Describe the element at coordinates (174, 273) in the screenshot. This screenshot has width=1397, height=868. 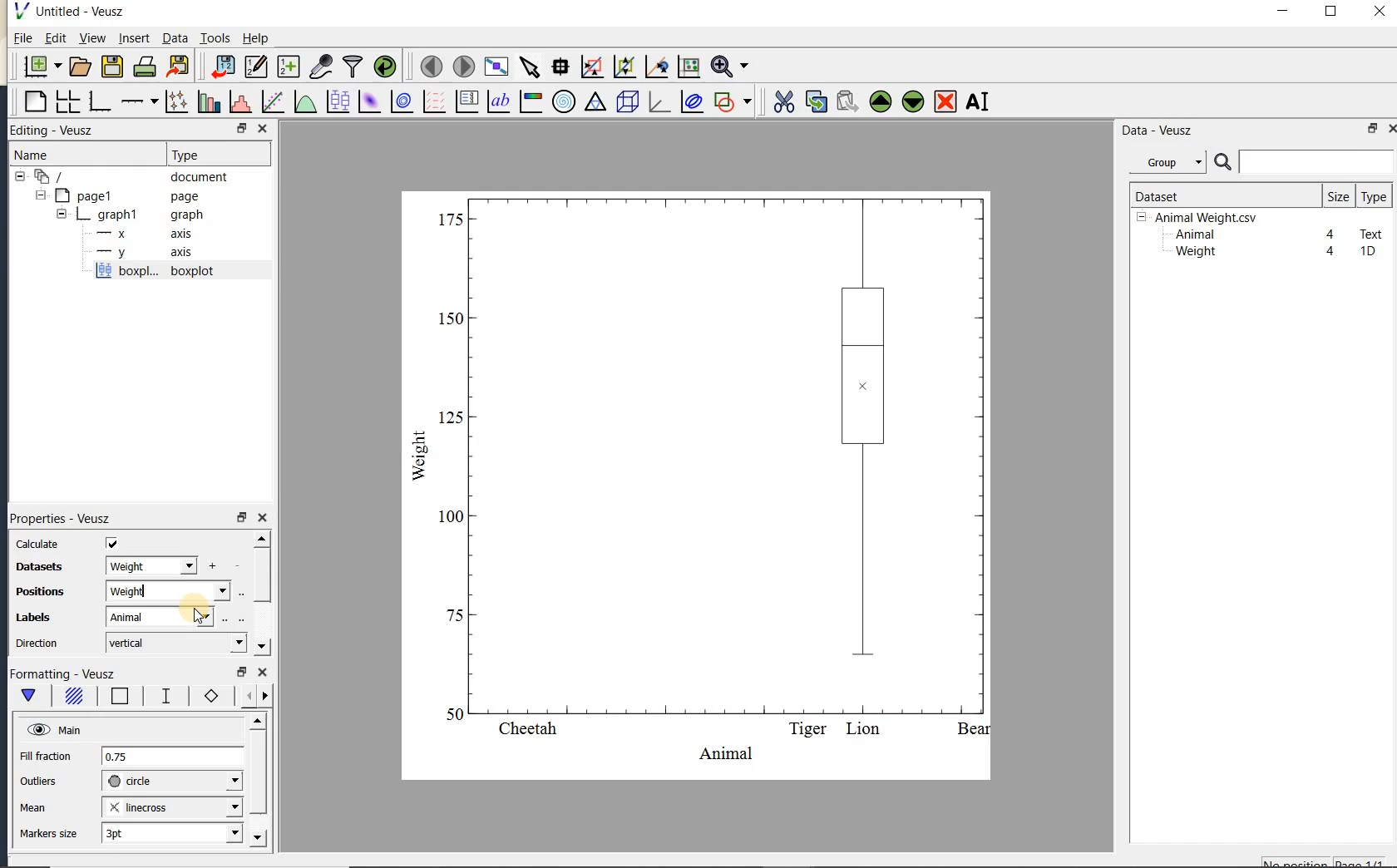
I see `boxplot` at that location.